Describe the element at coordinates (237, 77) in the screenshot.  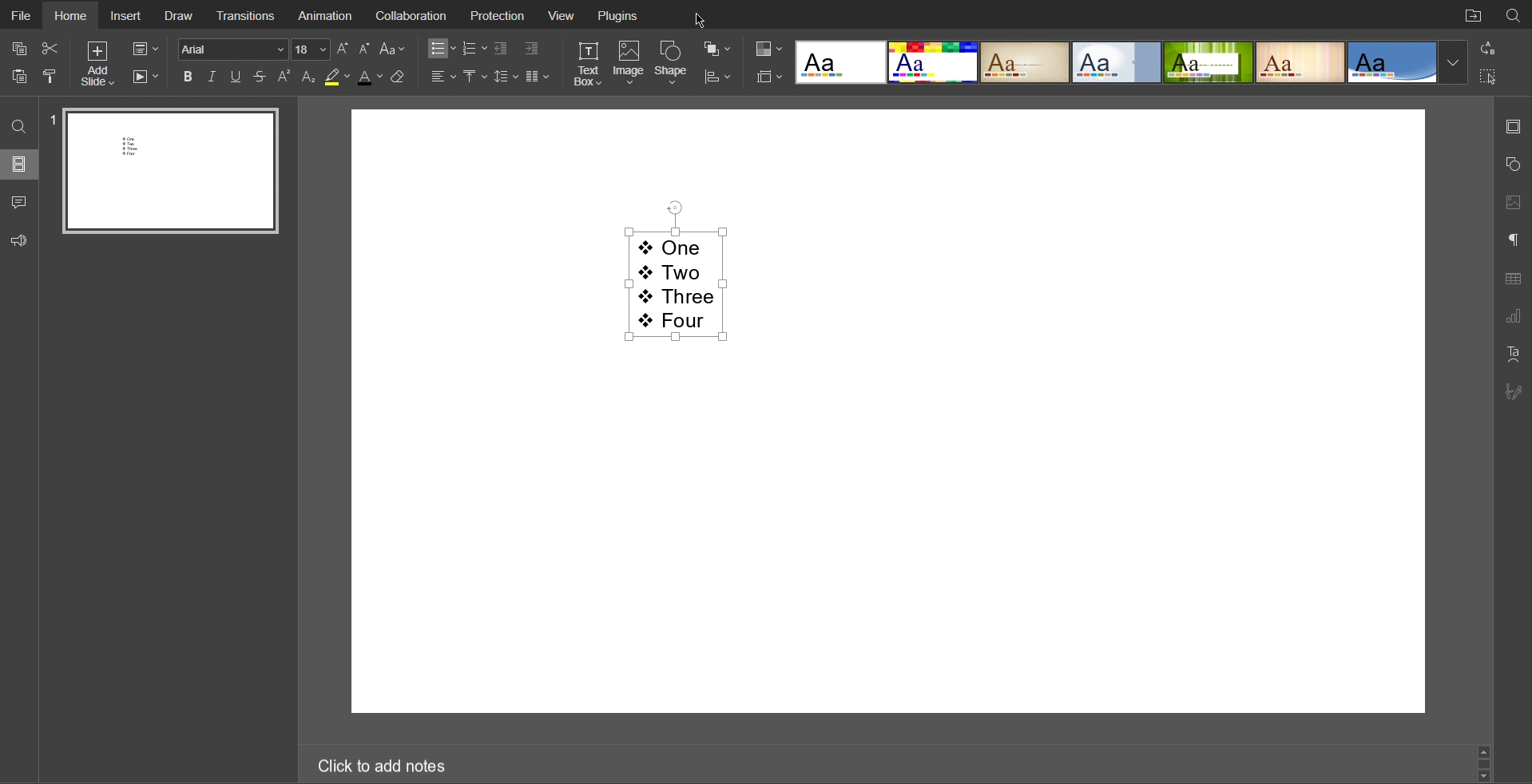
I see `Underline` at that location.